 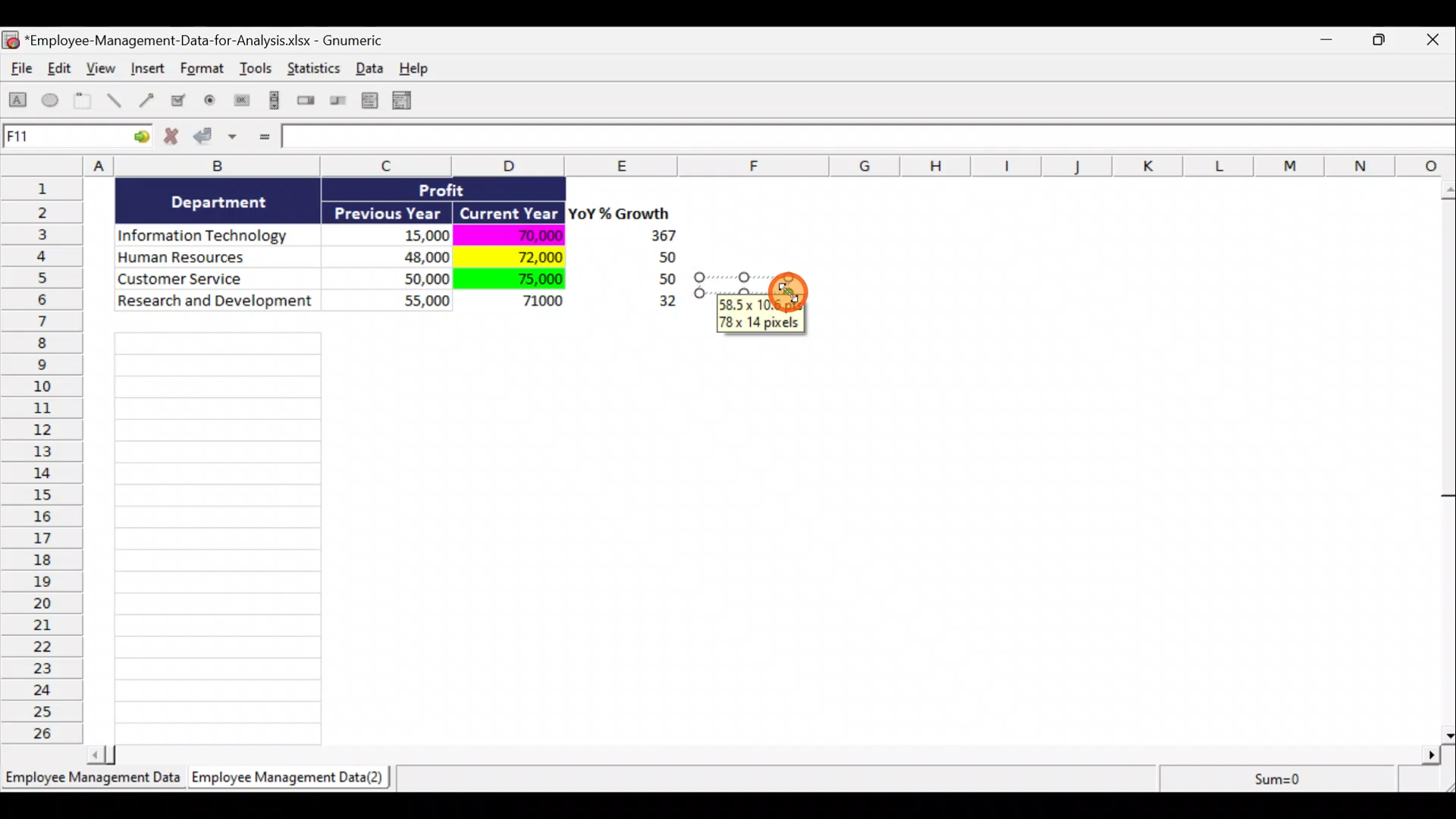 What do you see at coordinates (46, 459) in the screenshot?
I see `Rows` at bounding box center [46, 459].